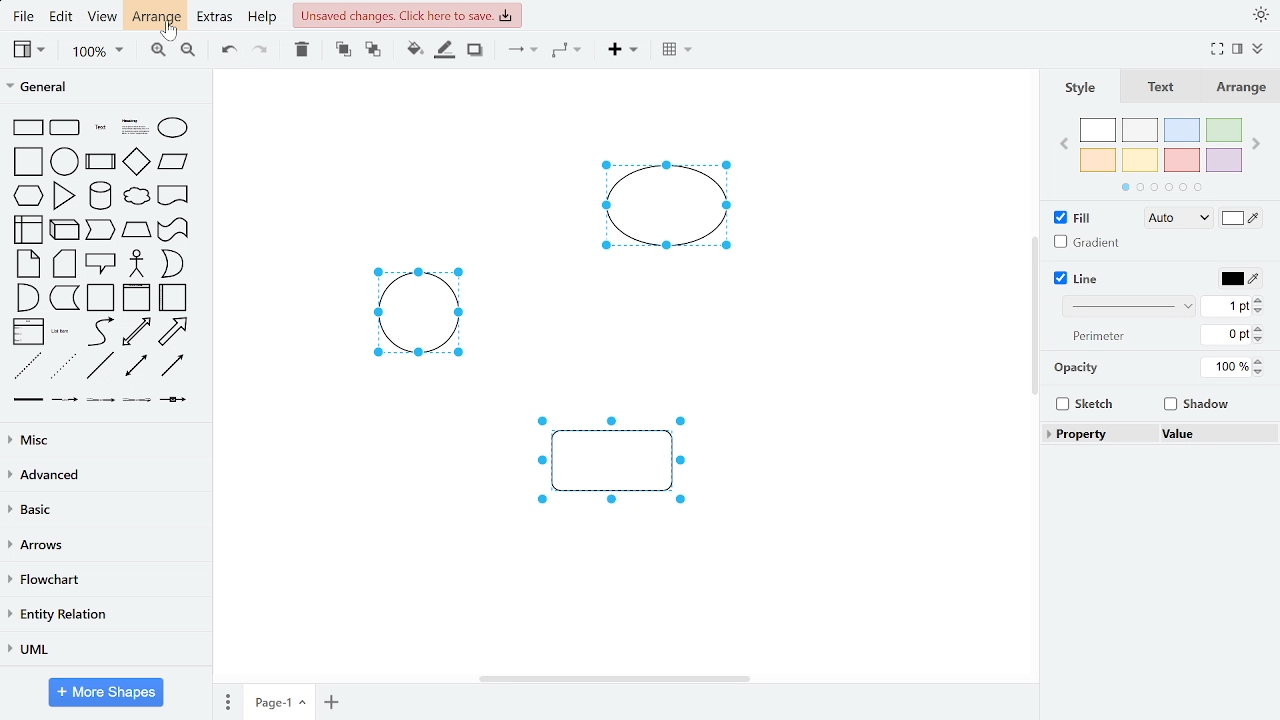 Image resolution: width=1280 pixels, height=720 pixels. Describe the element at coordinates (1081, 87) in the screenshot. I see `Style` at that location.